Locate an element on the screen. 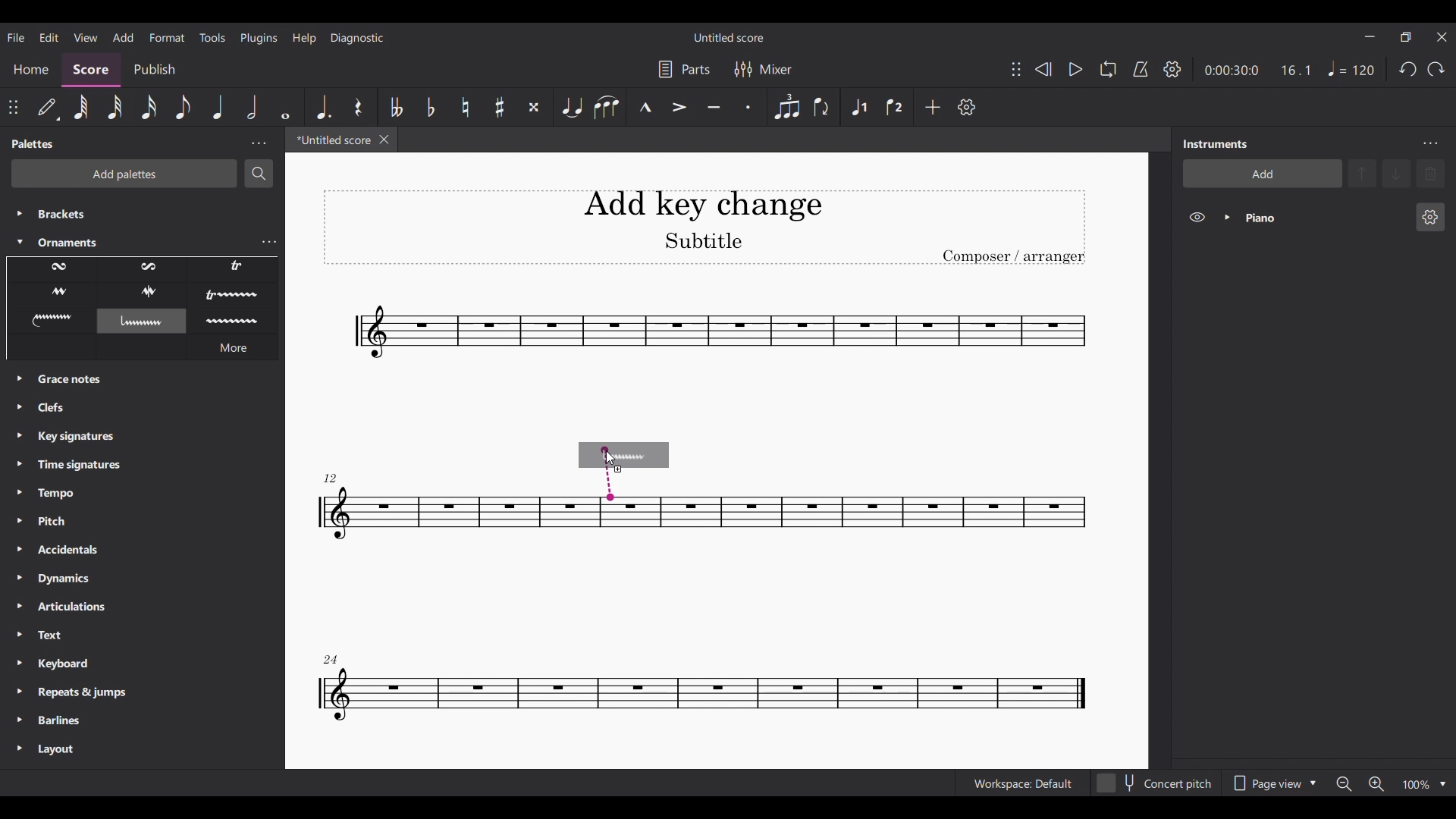 This screenshot has width=1456, height=819. Hide piano is located at coordinates (1197, 217).